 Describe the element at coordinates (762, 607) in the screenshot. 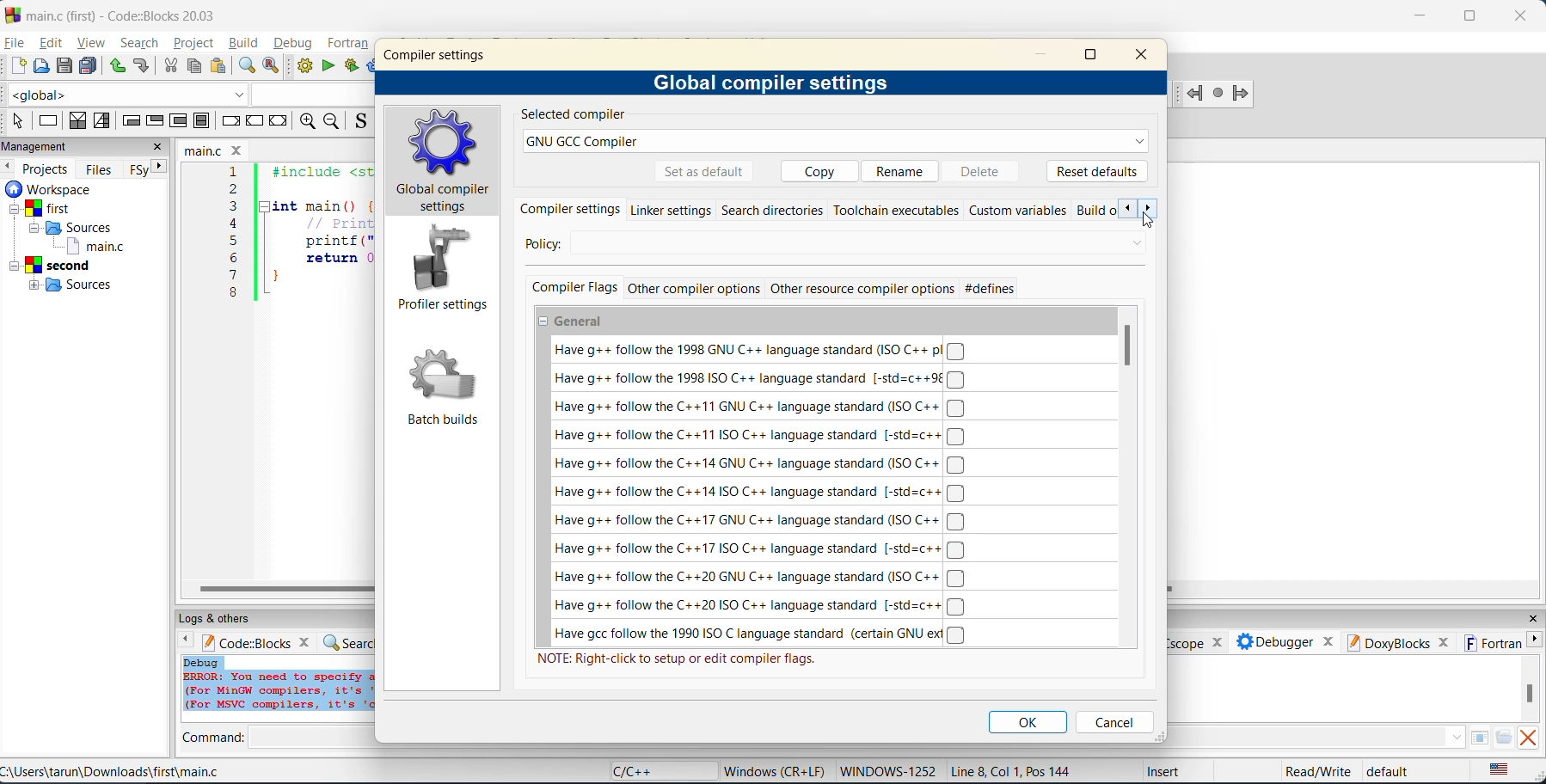

I see `Have g++ follow the C++20 ISO C++ language standard [-std=c++` at that location.